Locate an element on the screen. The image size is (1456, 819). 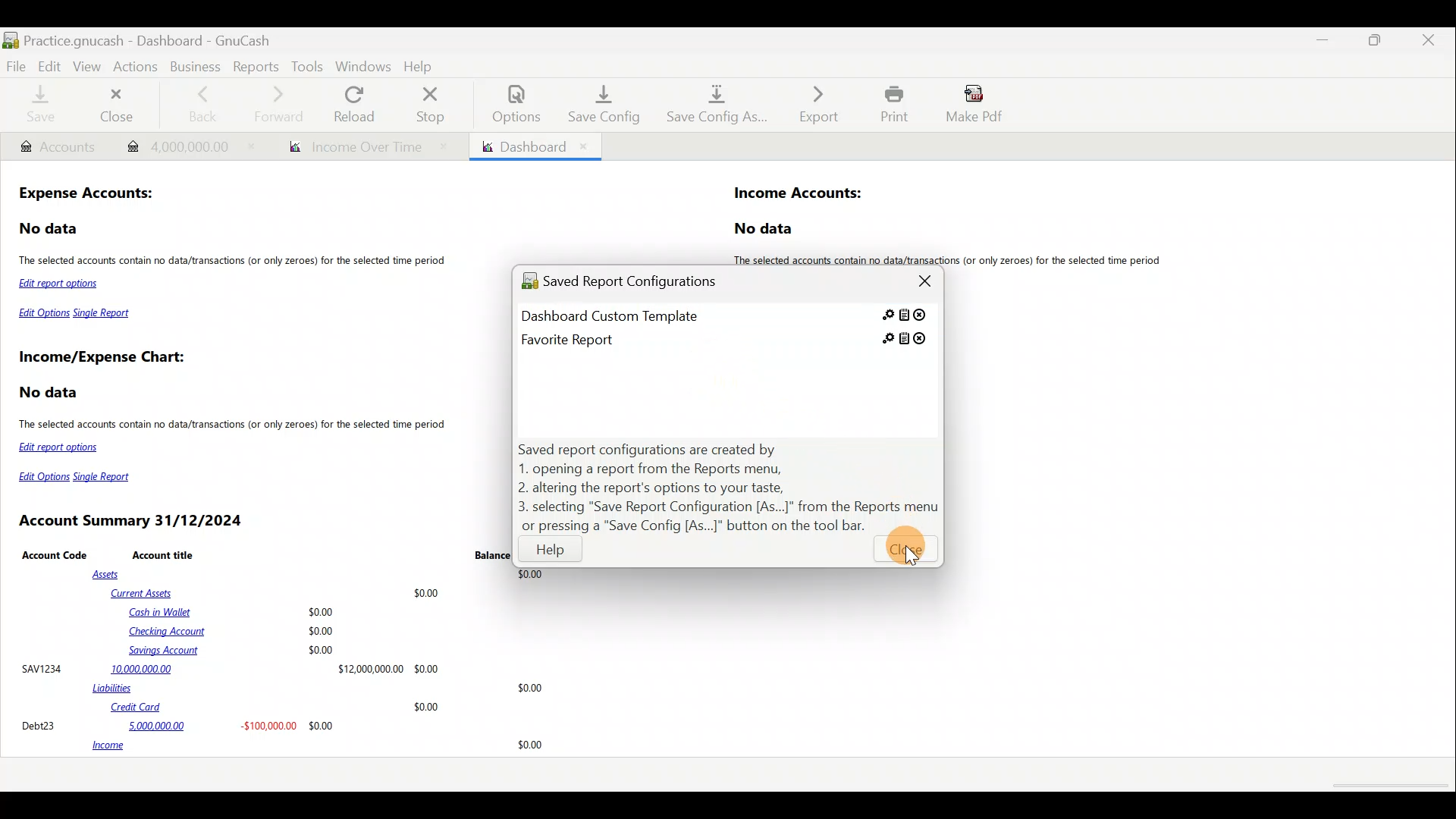
Stop is located at coordinates (435, 104).